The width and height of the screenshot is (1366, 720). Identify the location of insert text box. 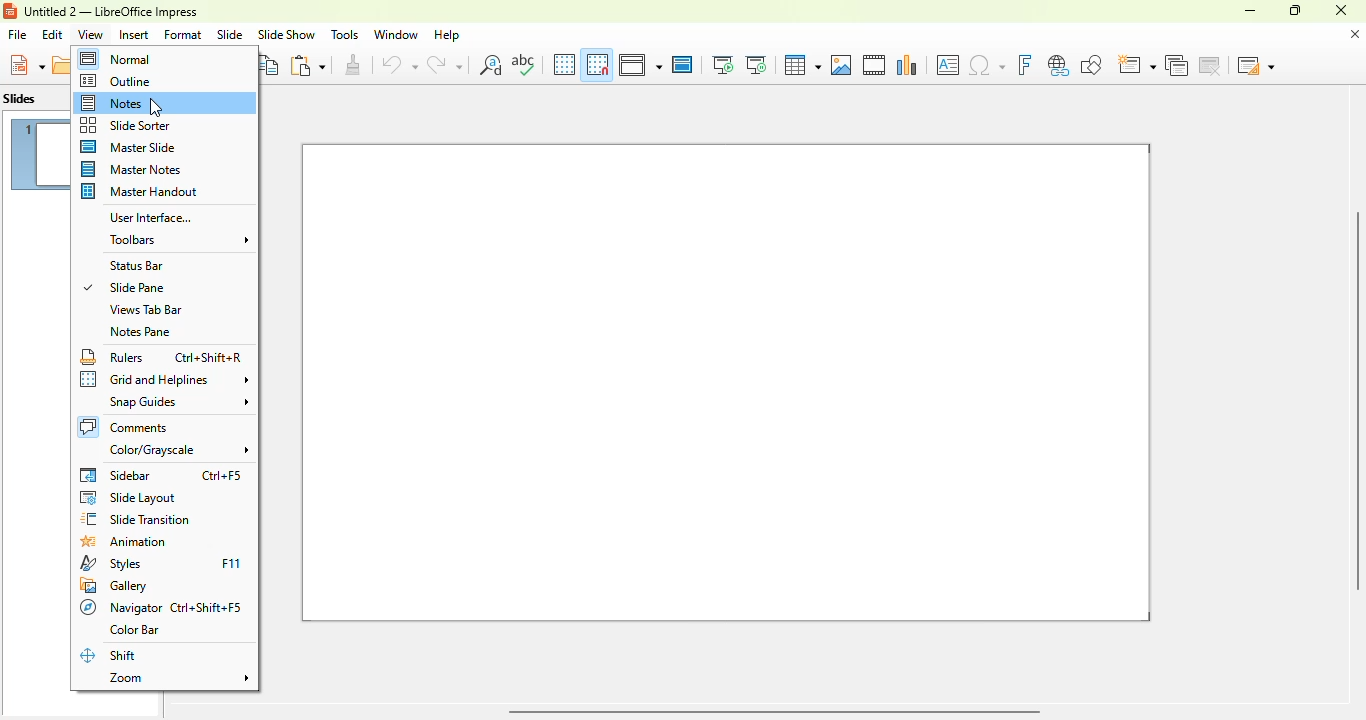
(948, 65).